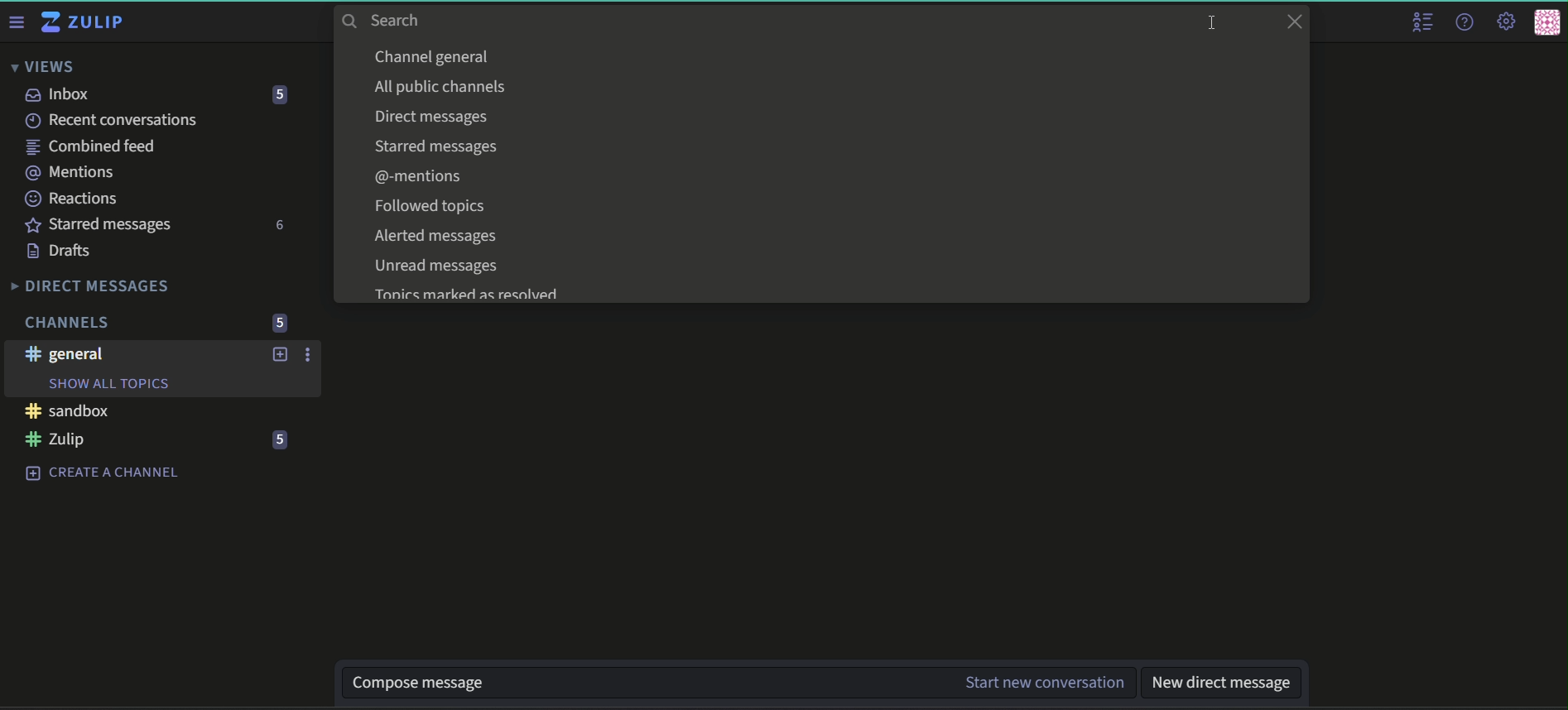 Image resolution: width=1568 pixels, height=710 pixels. I want to click on textbox, so click(741, 682).